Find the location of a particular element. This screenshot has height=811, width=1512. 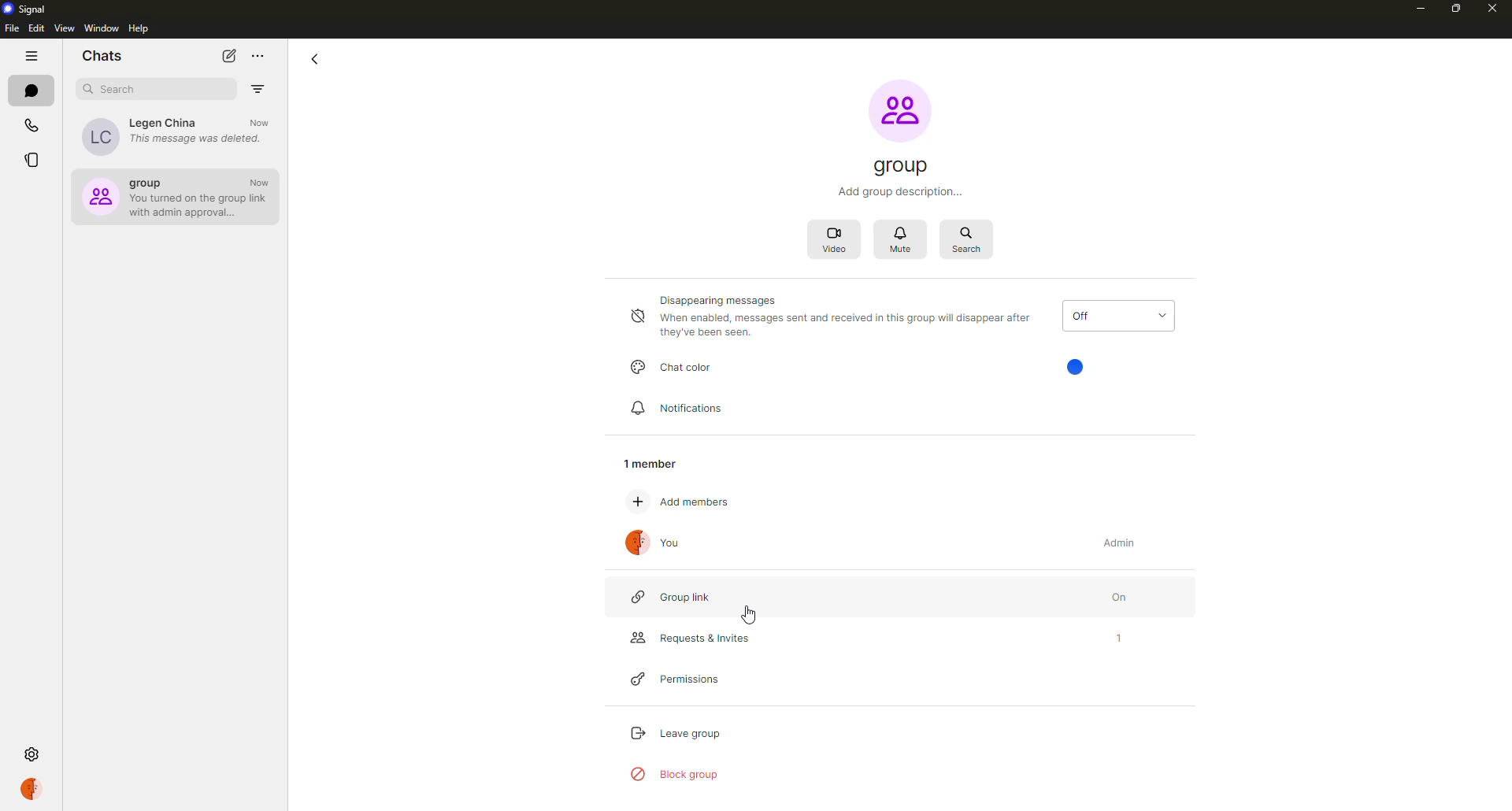

group link is located at coordinates (678, 598).